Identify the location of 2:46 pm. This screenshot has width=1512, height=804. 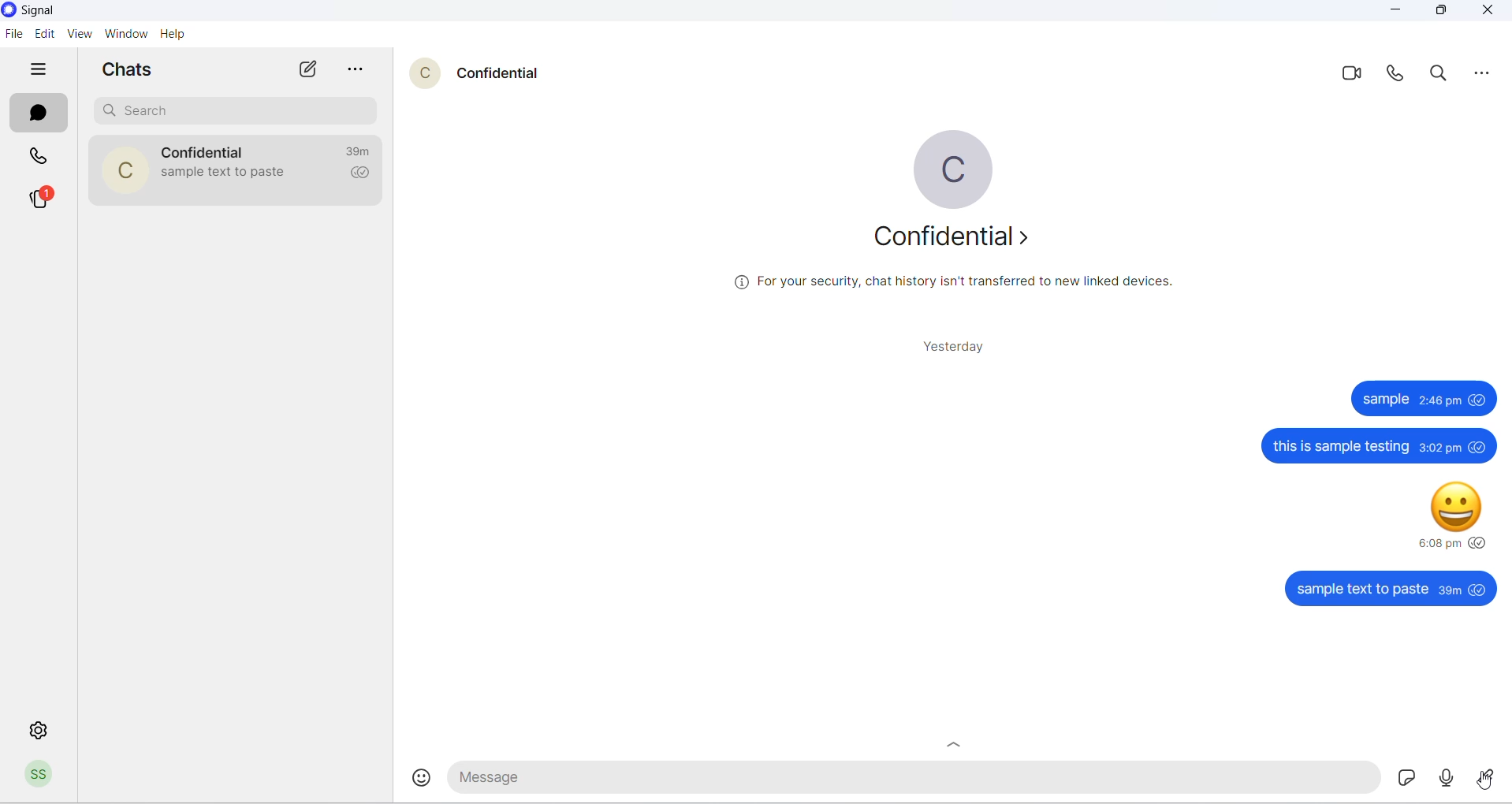
(1442, 400).